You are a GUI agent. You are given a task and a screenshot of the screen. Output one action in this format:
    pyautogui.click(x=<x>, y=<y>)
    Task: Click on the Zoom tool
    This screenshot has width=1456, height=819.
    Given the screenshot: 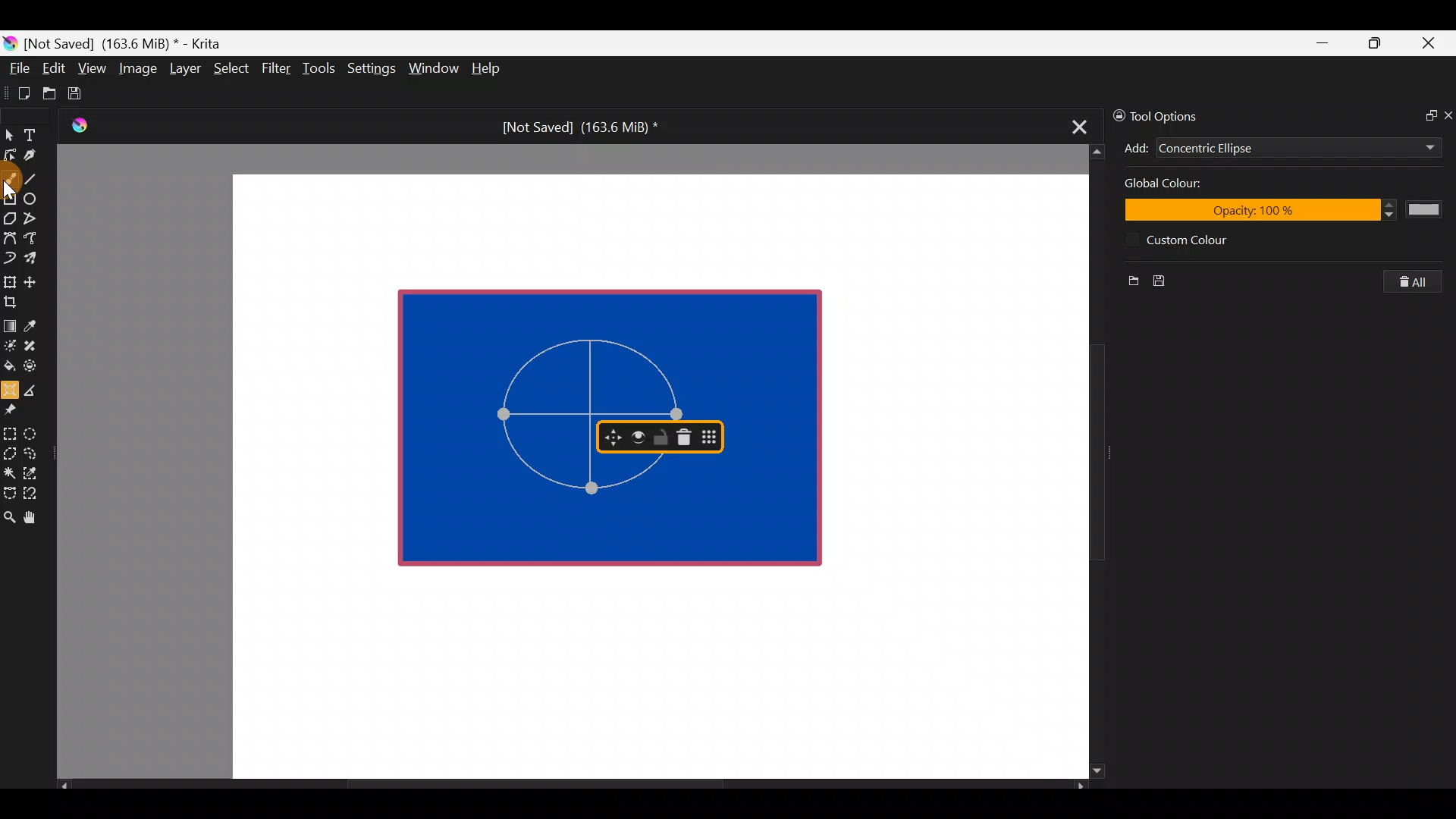 What is the action you would take?
    pyautogui.click(x=9, y=516)
    